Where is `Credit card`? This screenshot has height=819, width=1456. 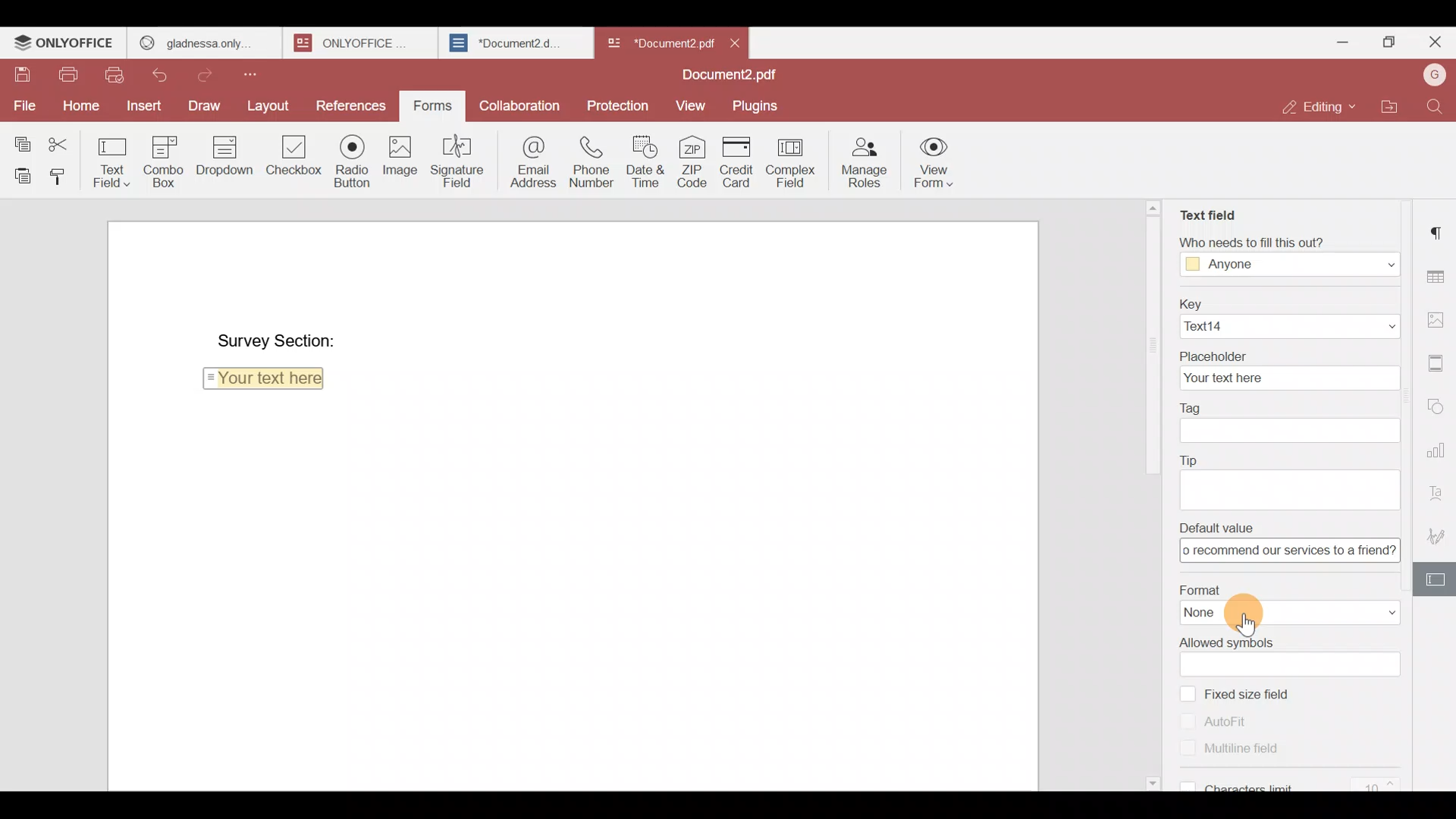 Credit card is located at coordinates (739, 162).